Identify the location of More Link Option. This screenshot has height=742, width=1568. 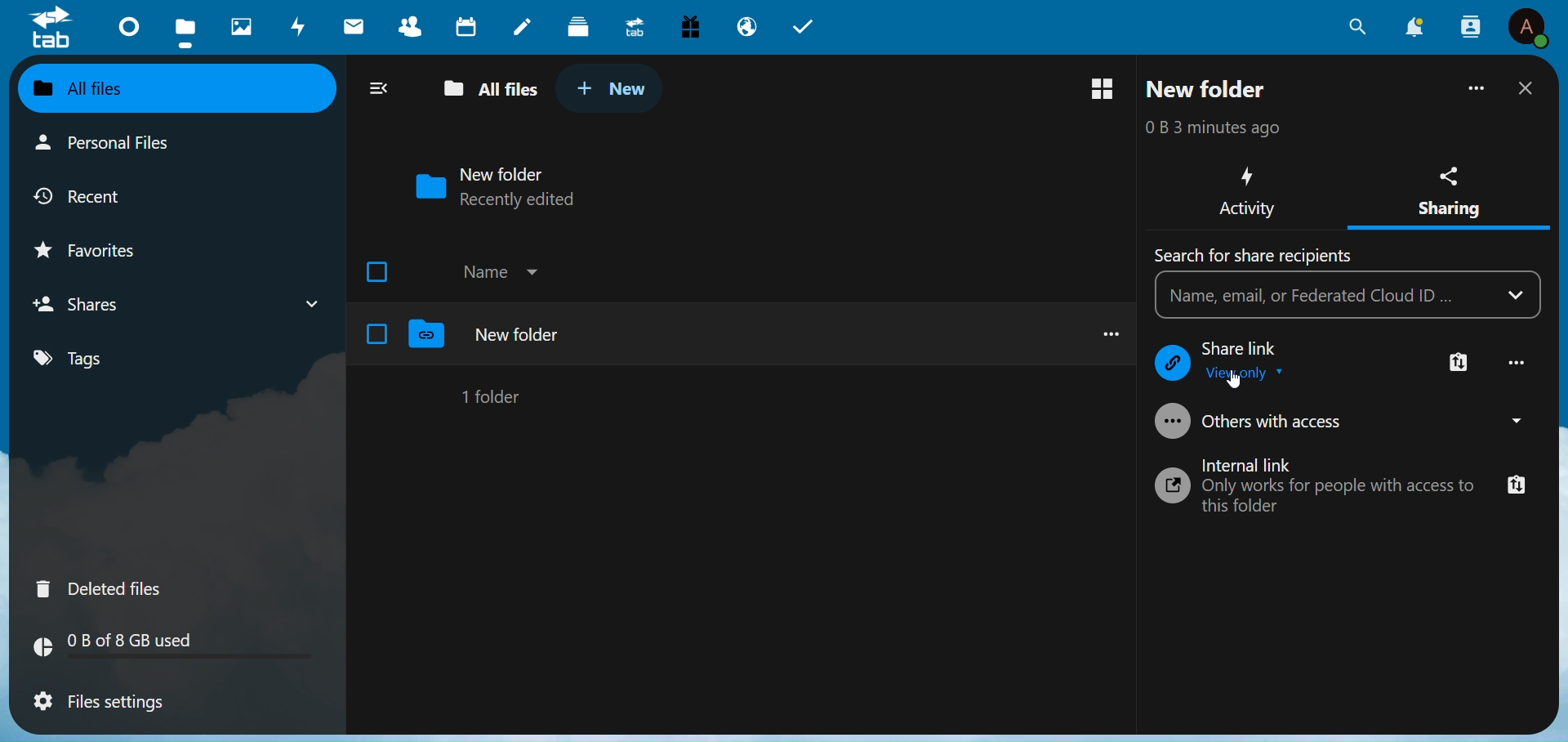
(1459, 364).